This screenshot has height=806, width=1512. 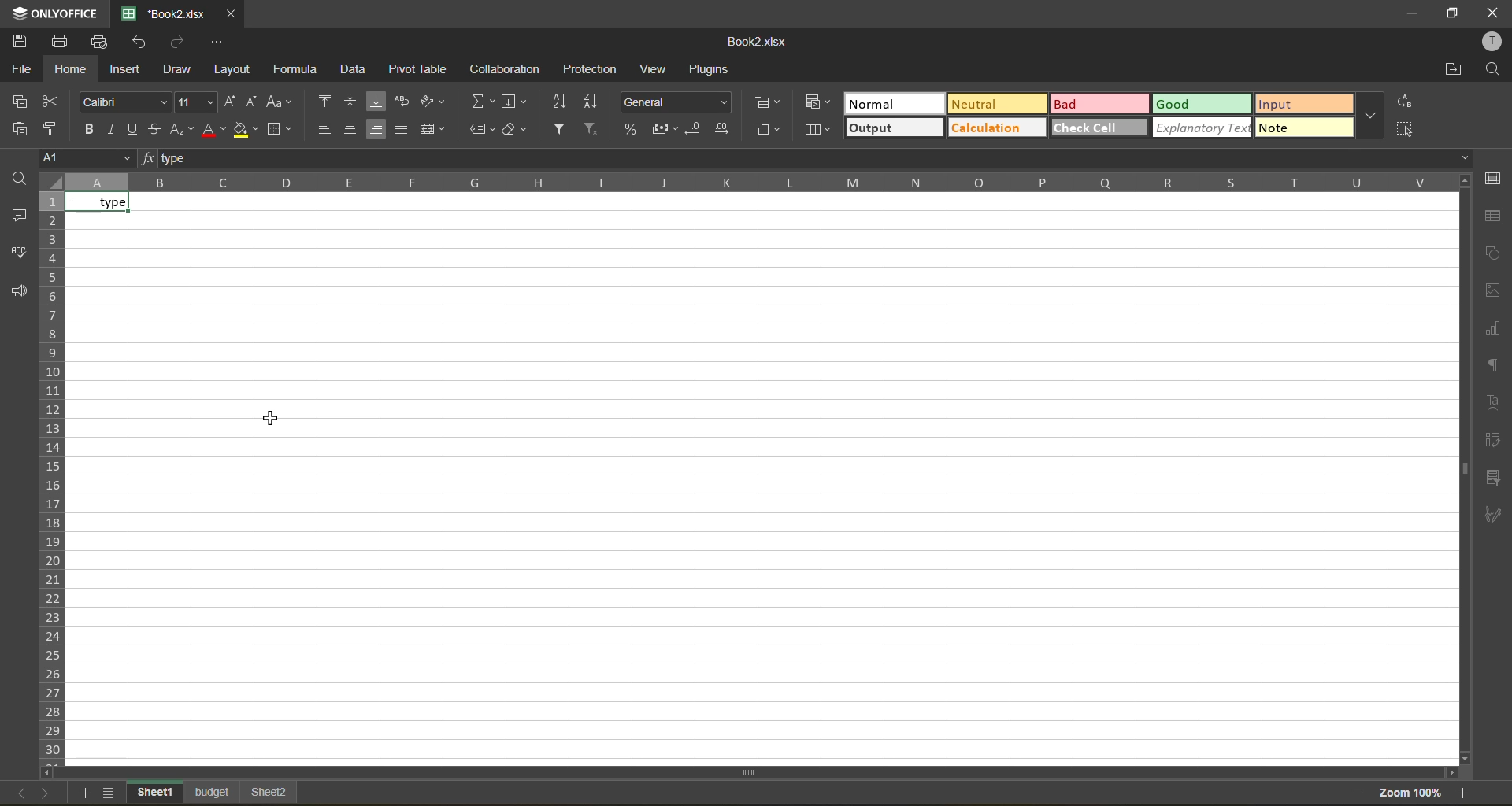 I want to click on formula bar, so click(x=812, y=159).